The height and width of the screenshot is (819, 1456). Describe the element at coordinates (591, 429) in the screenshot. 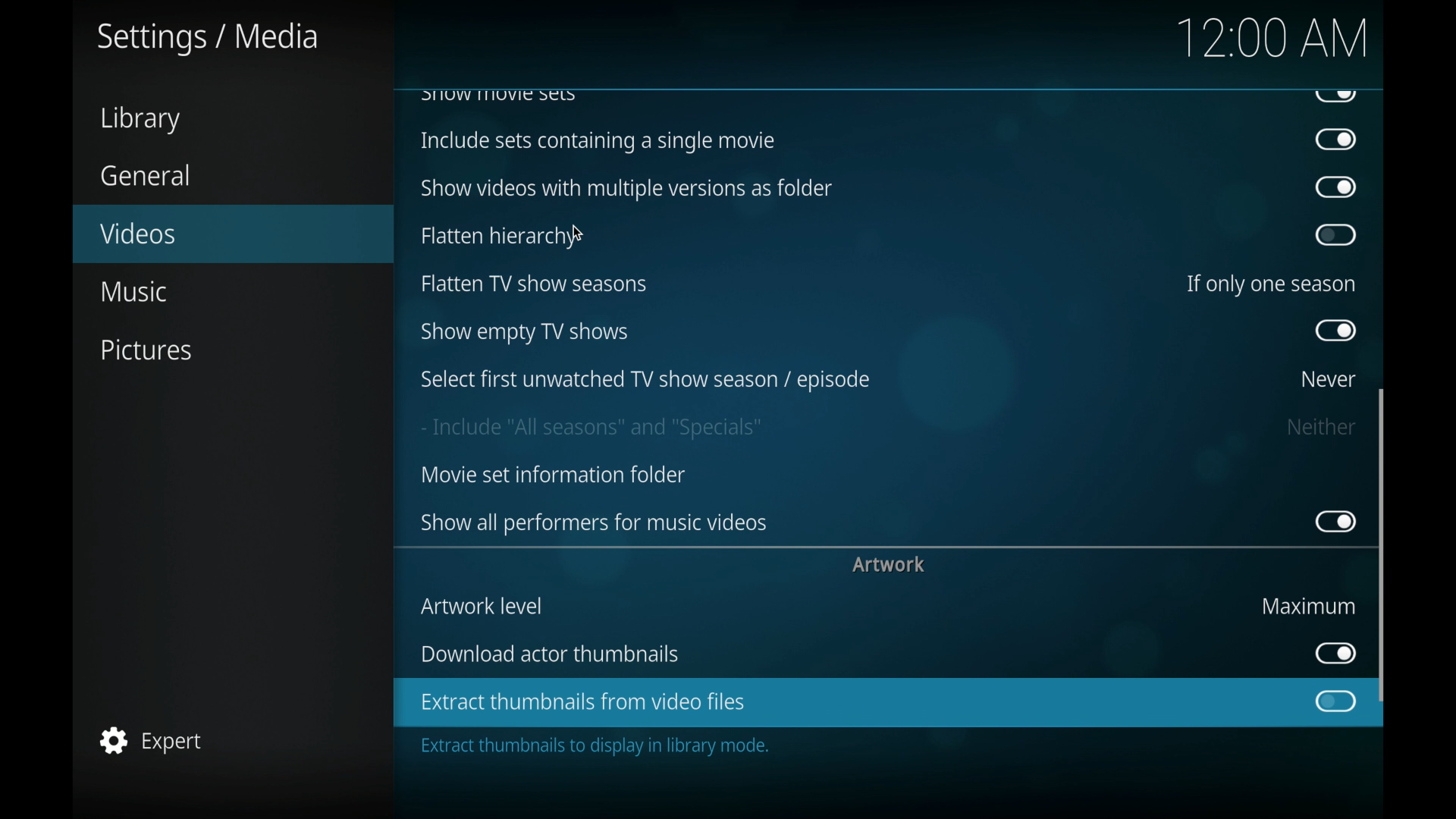

I see `include all seasons and specials` at that location.